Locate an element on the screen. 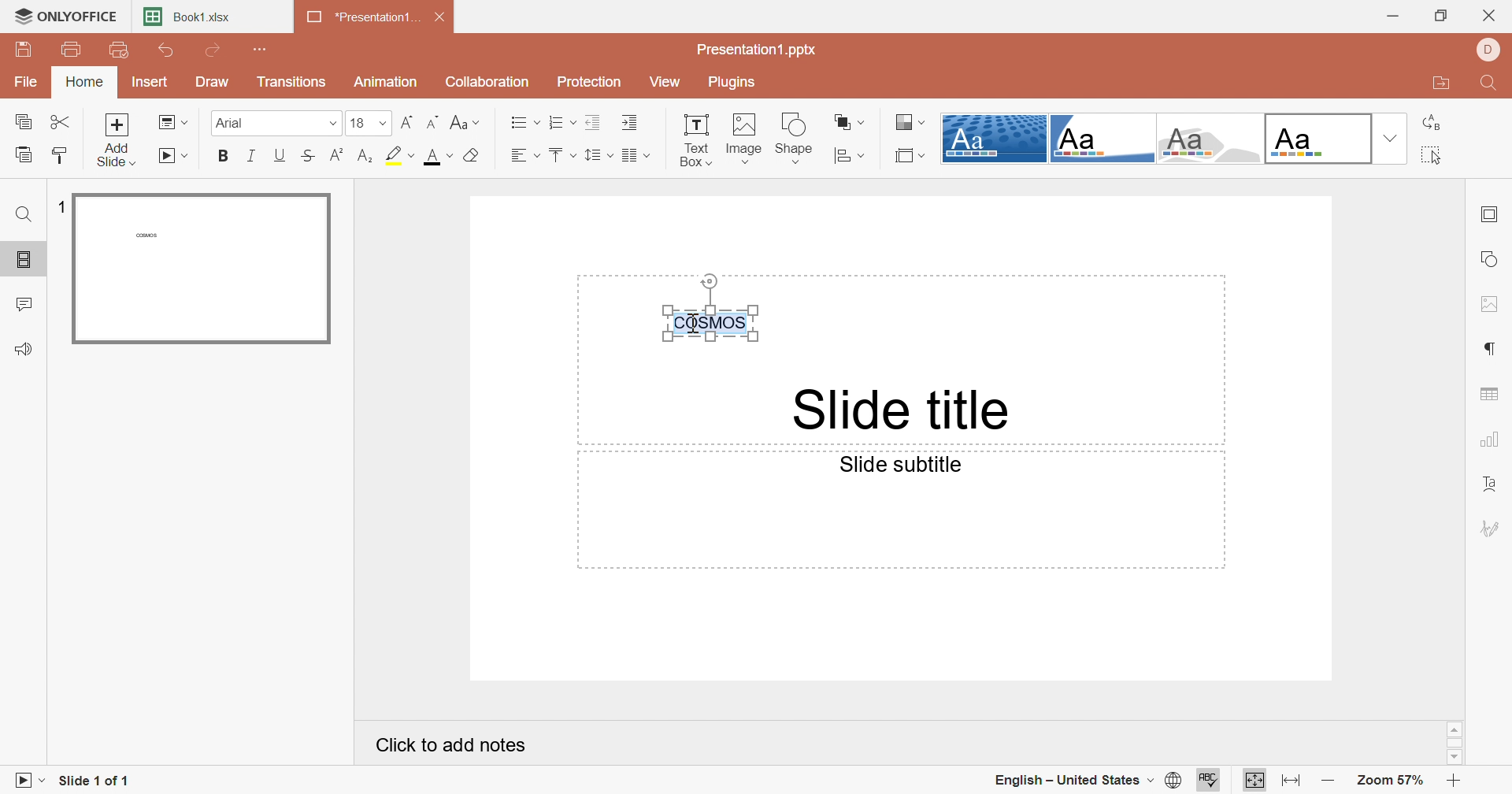 The width and height of the screenshot is (1512, 794). Slide is located at coordinates (202, 269).